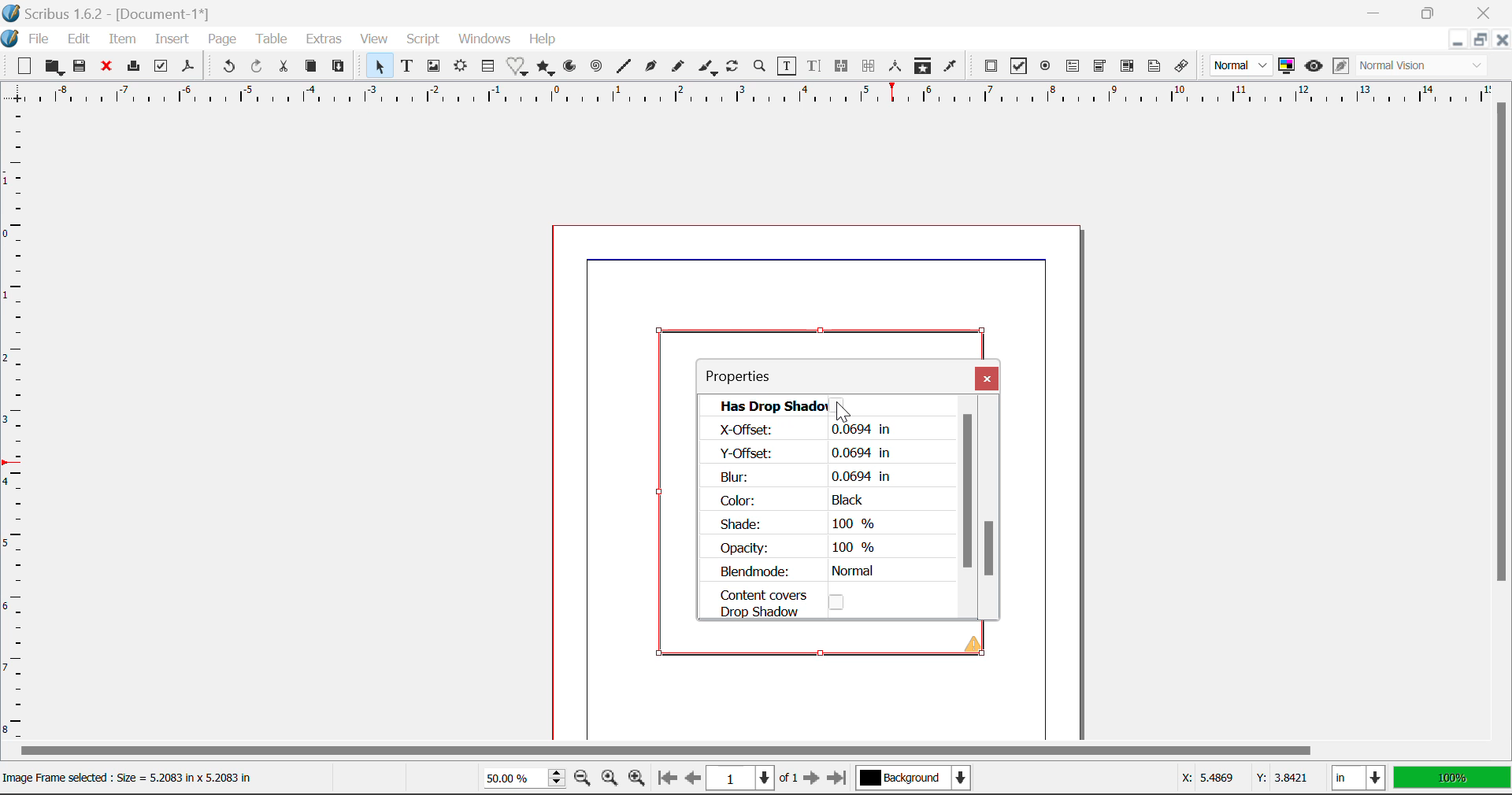 This screenshot has width=1512, height=795. What do you see at coordinates (11, 39) in the screenshot?
I see `Logo` at bounding box center [11, 39].